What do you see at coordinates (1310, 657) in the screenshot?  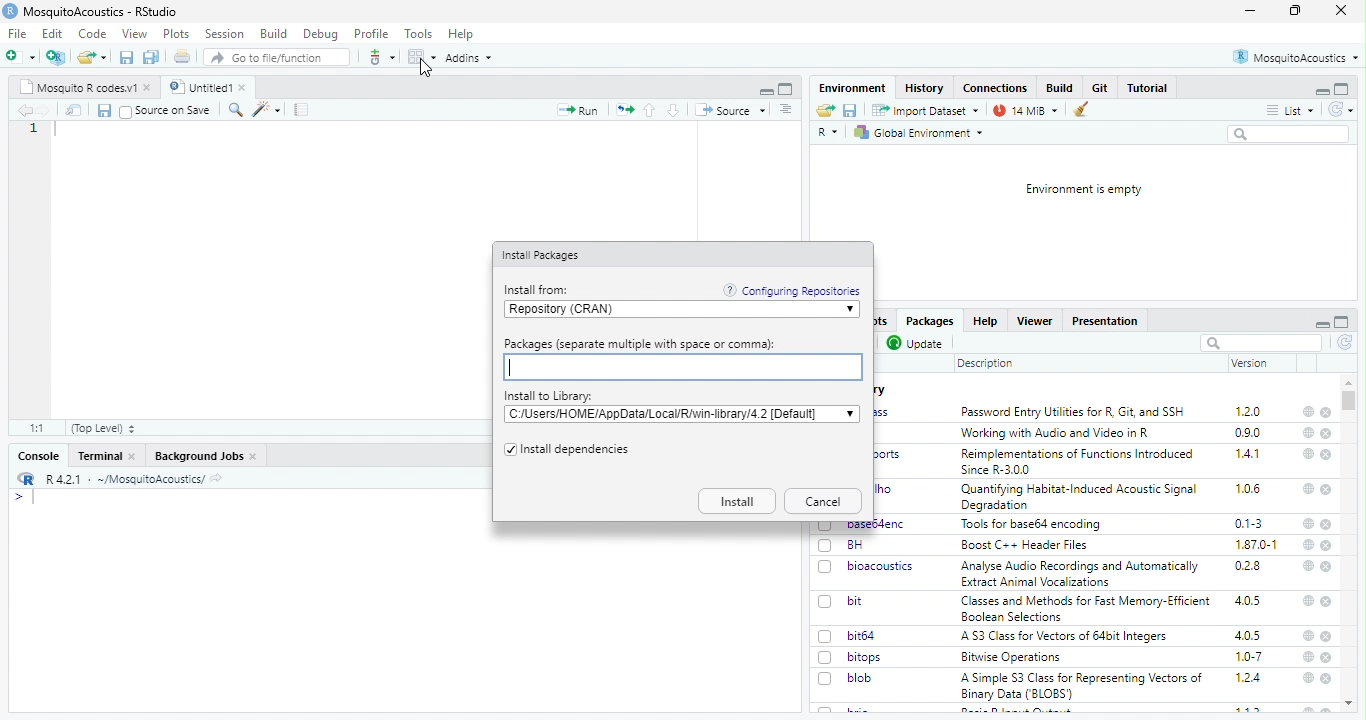 I see `web` at bounding box center [1310, 657].